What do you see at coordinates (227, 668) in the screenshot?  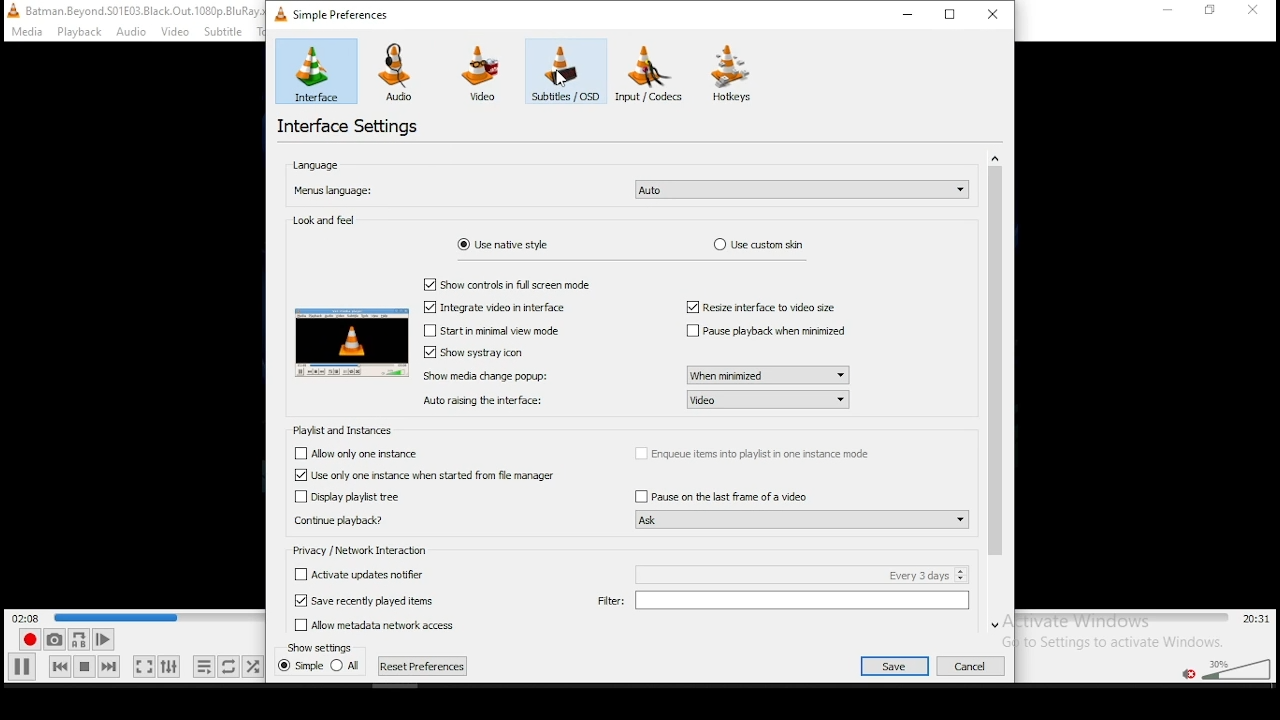 I see `click to select between loop all, loop one, and no loop` at bounding box center [227, 668].